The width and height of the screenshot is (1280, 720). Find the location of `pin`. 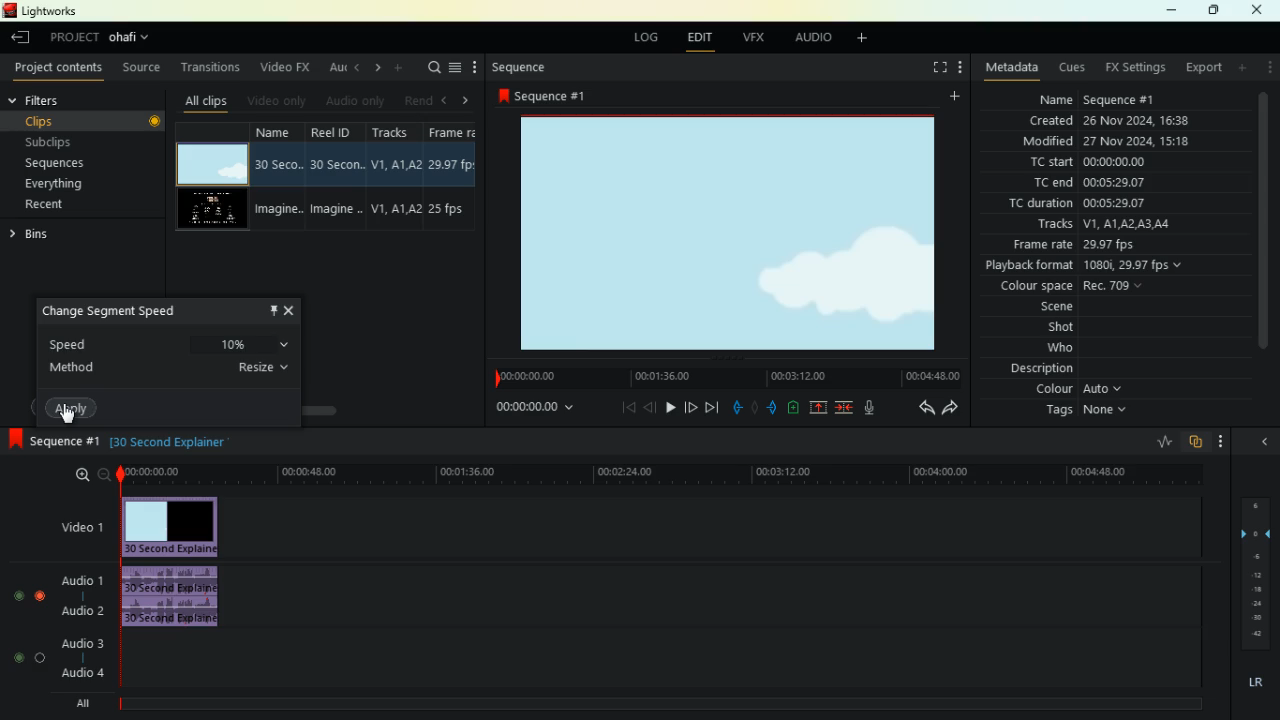

pin is located at coordinates (273, 310).